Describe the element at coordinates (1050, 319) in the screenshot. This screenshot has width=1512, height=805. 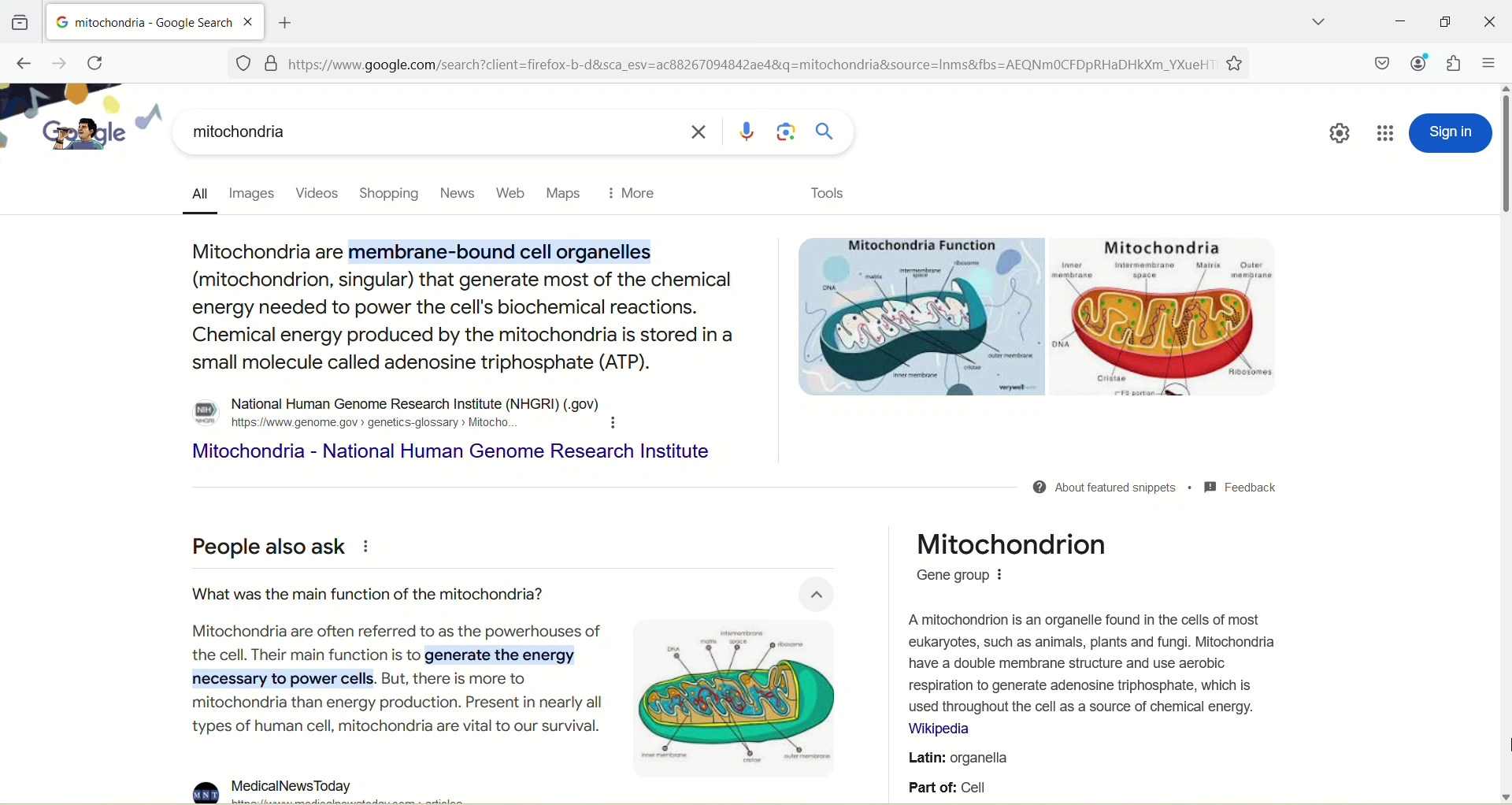
I see `images of parts of mitochondria` at that location.